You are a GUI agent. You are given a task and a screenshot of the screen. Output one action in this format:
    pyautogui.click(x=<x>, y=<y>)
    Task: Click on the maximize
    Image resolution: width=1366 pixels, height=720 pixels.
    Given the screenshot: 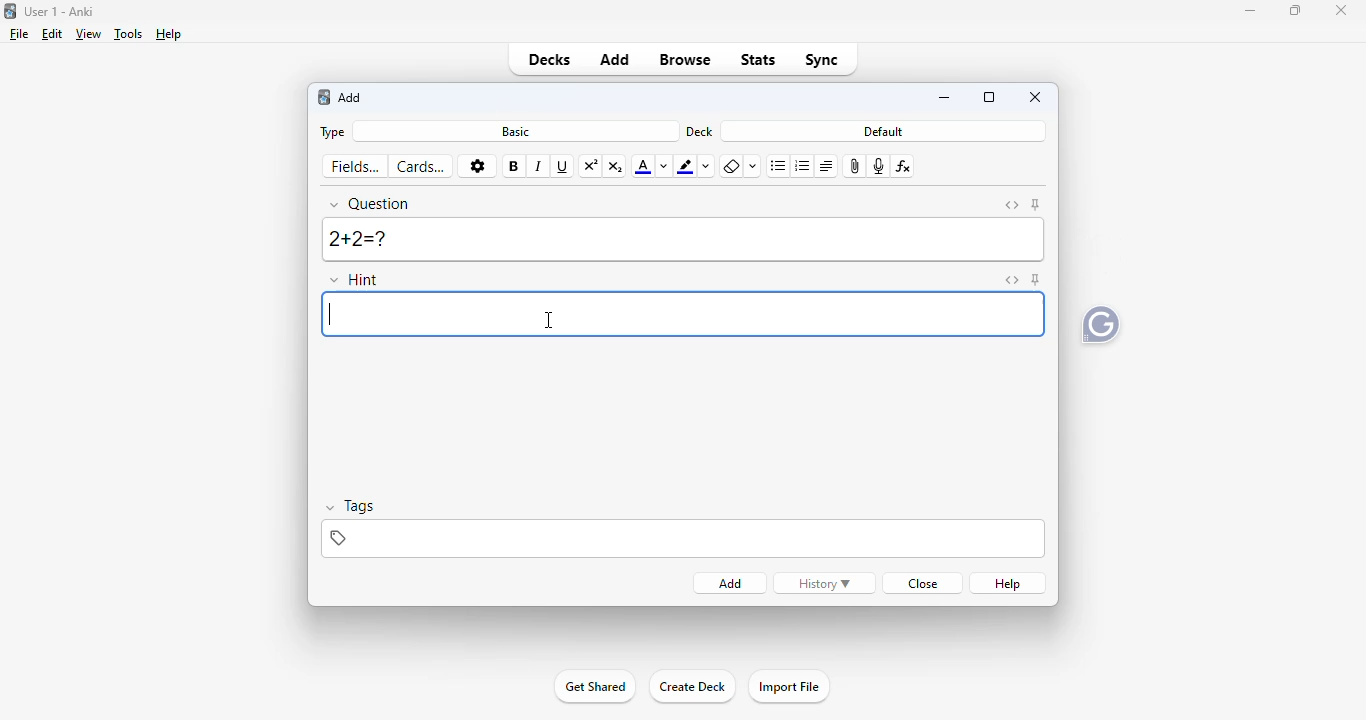 What is the action you would take?
    pyautogui.click(x=1295, y=10)
    